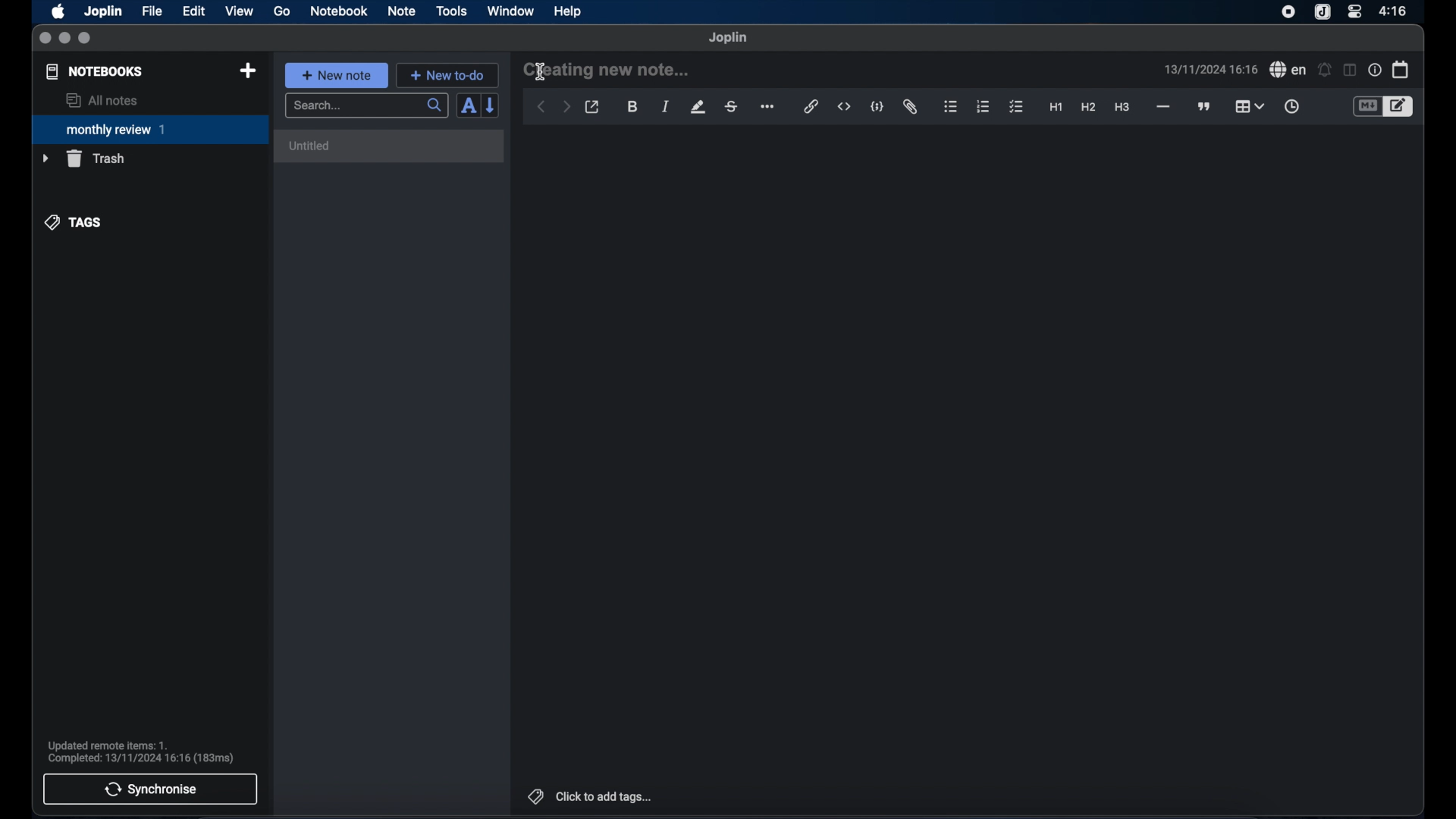 The width and height of the screenshot is (1456, 819). I want to click on window, so click(511, 11).